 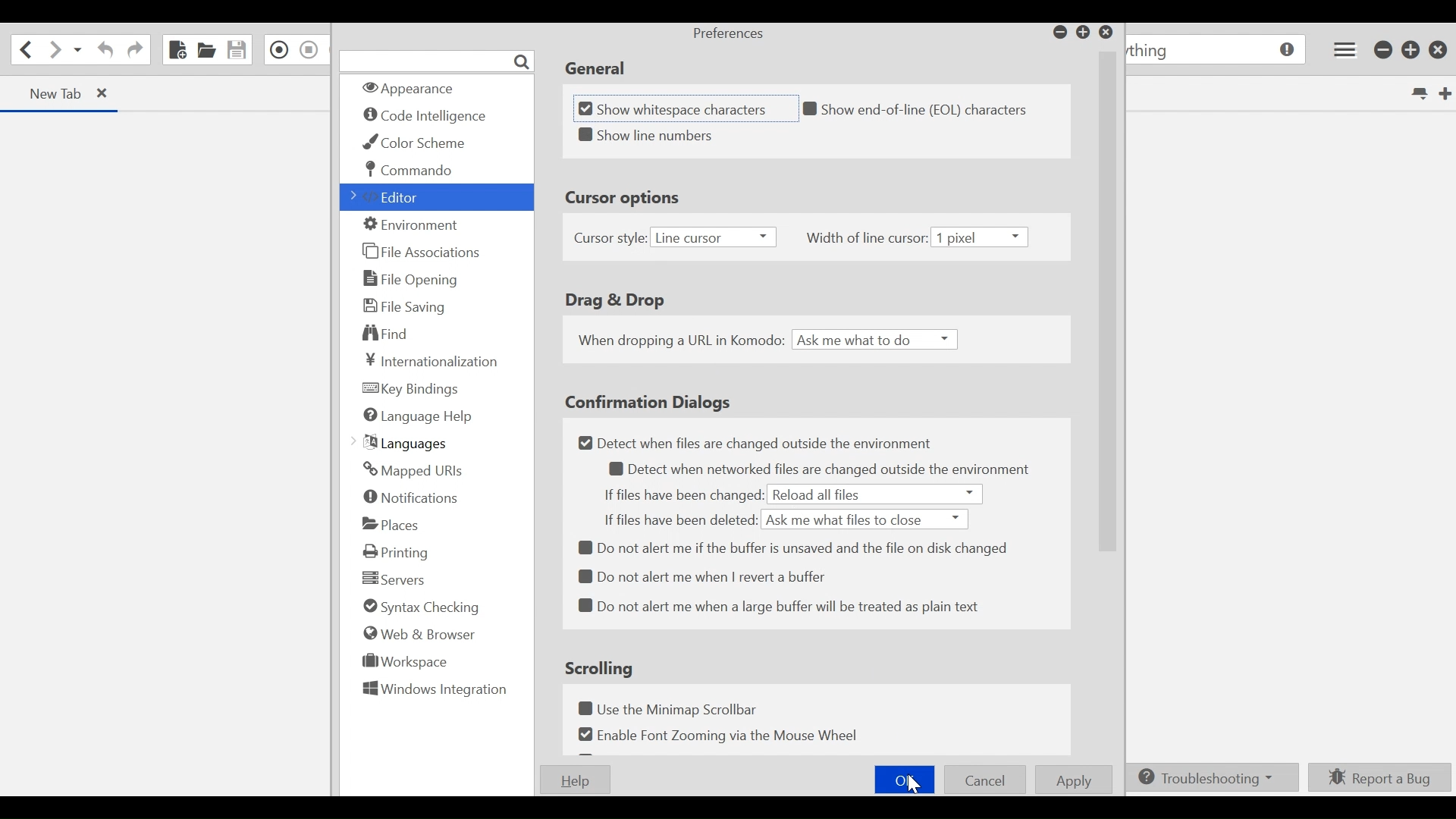 I want to click on Preferences, so click(x=729, y=34).